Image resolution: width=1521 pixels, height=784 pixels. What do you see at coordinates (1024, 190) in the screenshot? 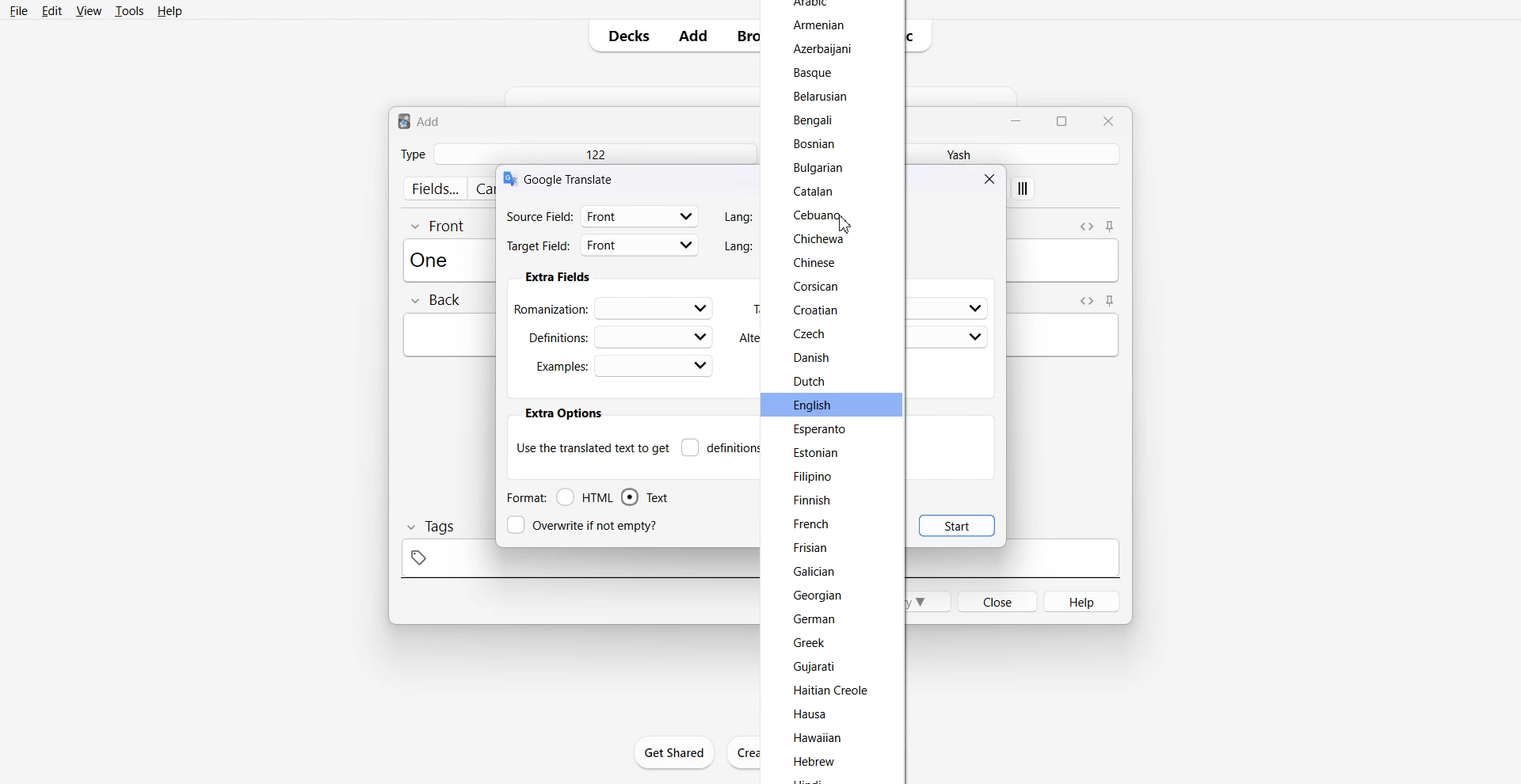
I see `apply custom style` at bounding box center [1024, 190].